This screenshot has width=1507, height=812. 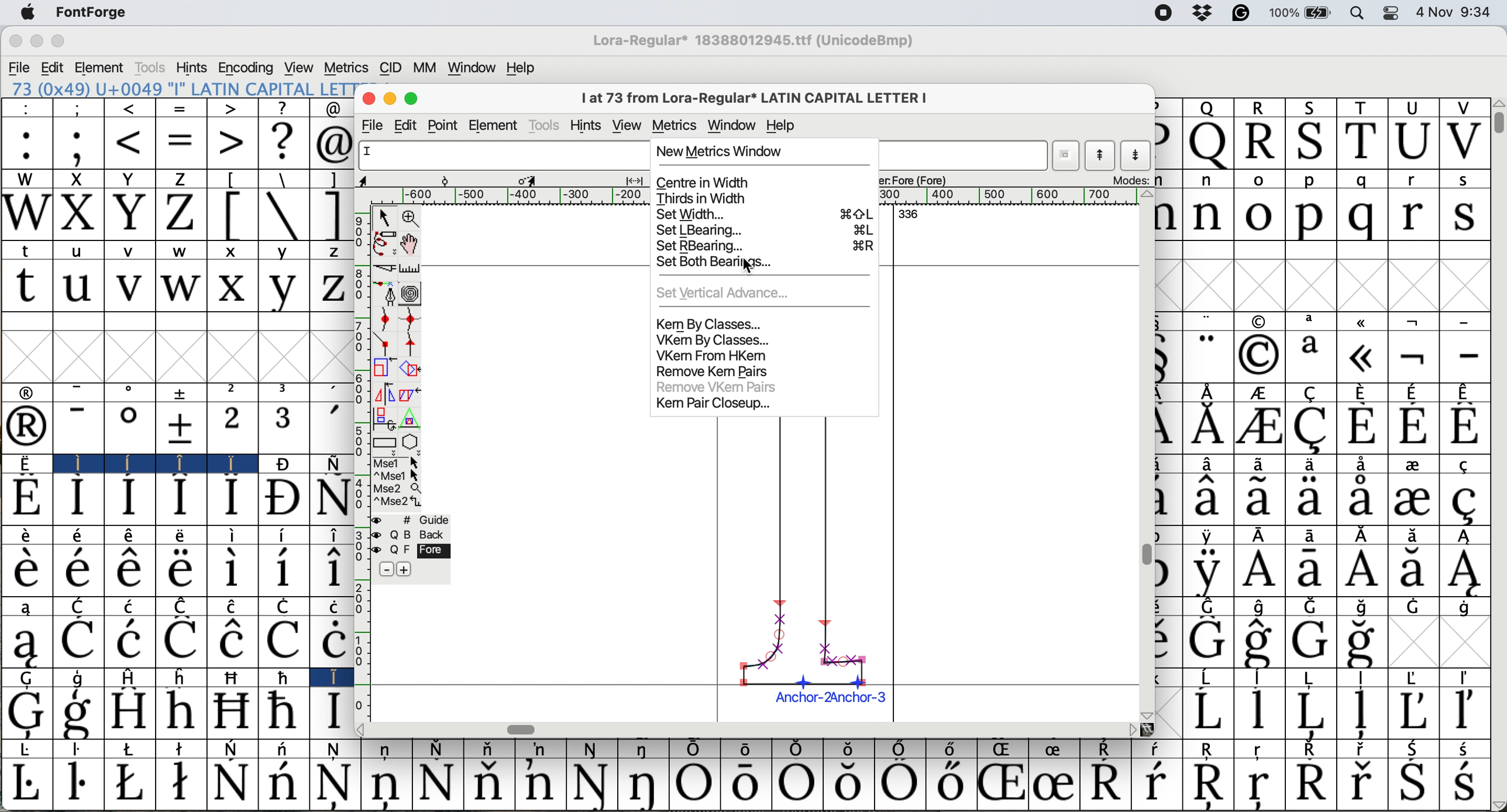 I want to click on R, so click(x=1261, y=143).